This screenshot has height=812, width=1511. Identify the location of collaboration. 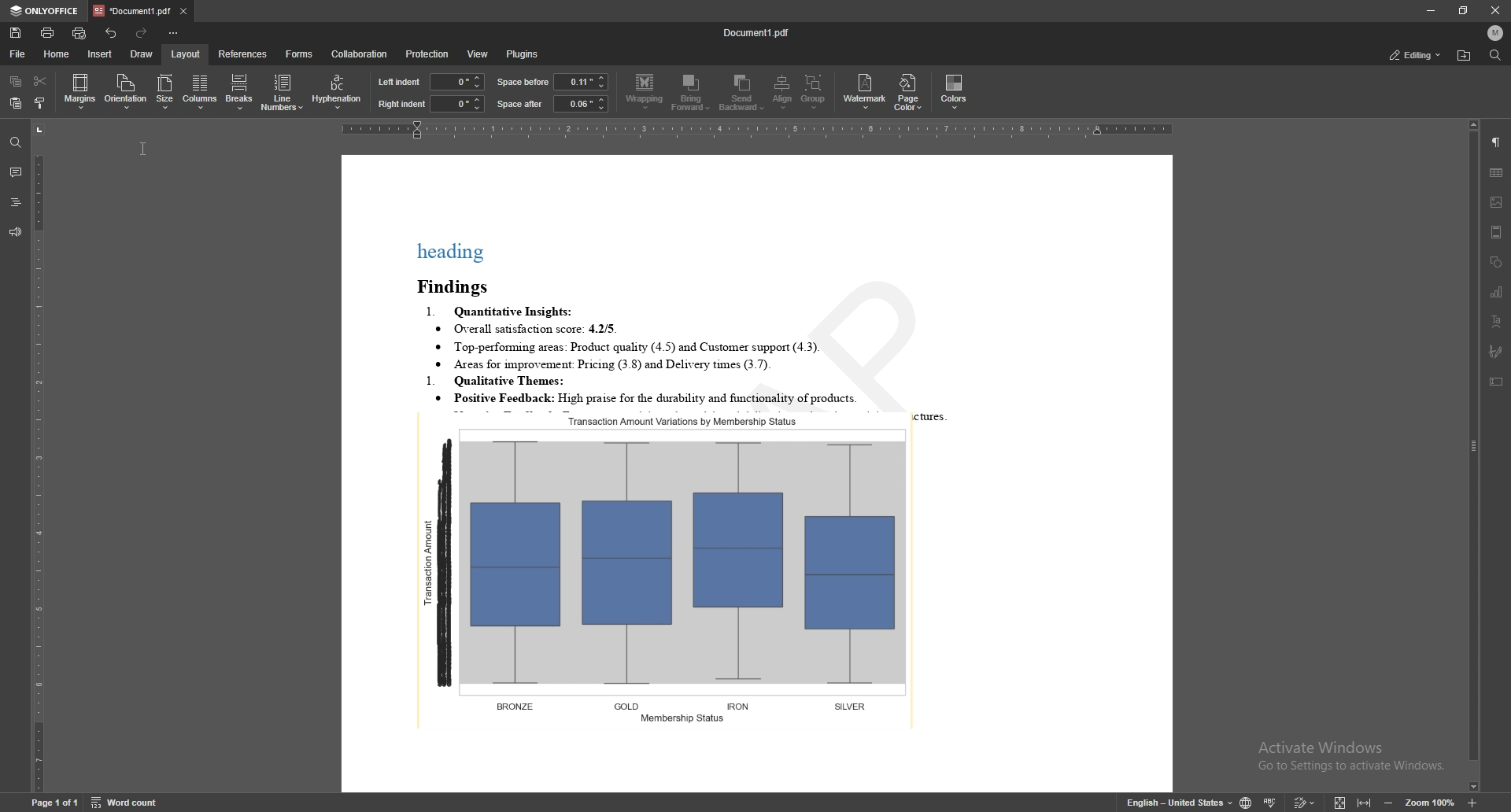
(363, 53).